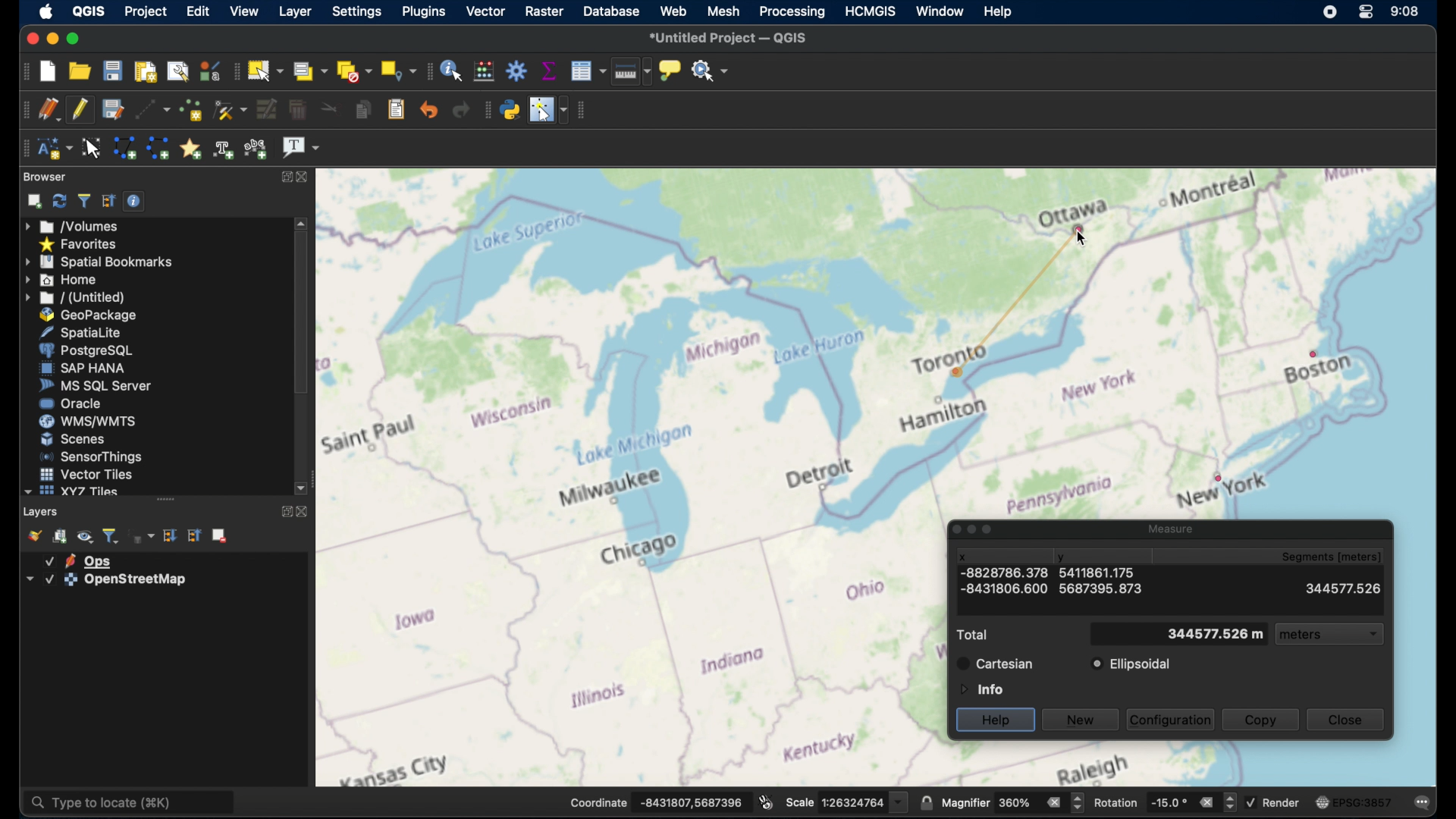 The image size is (1456, 819). What do you see at coordinates (67, 279) in the screenshot?
I see `home menu` at bounding box center [67, 279].